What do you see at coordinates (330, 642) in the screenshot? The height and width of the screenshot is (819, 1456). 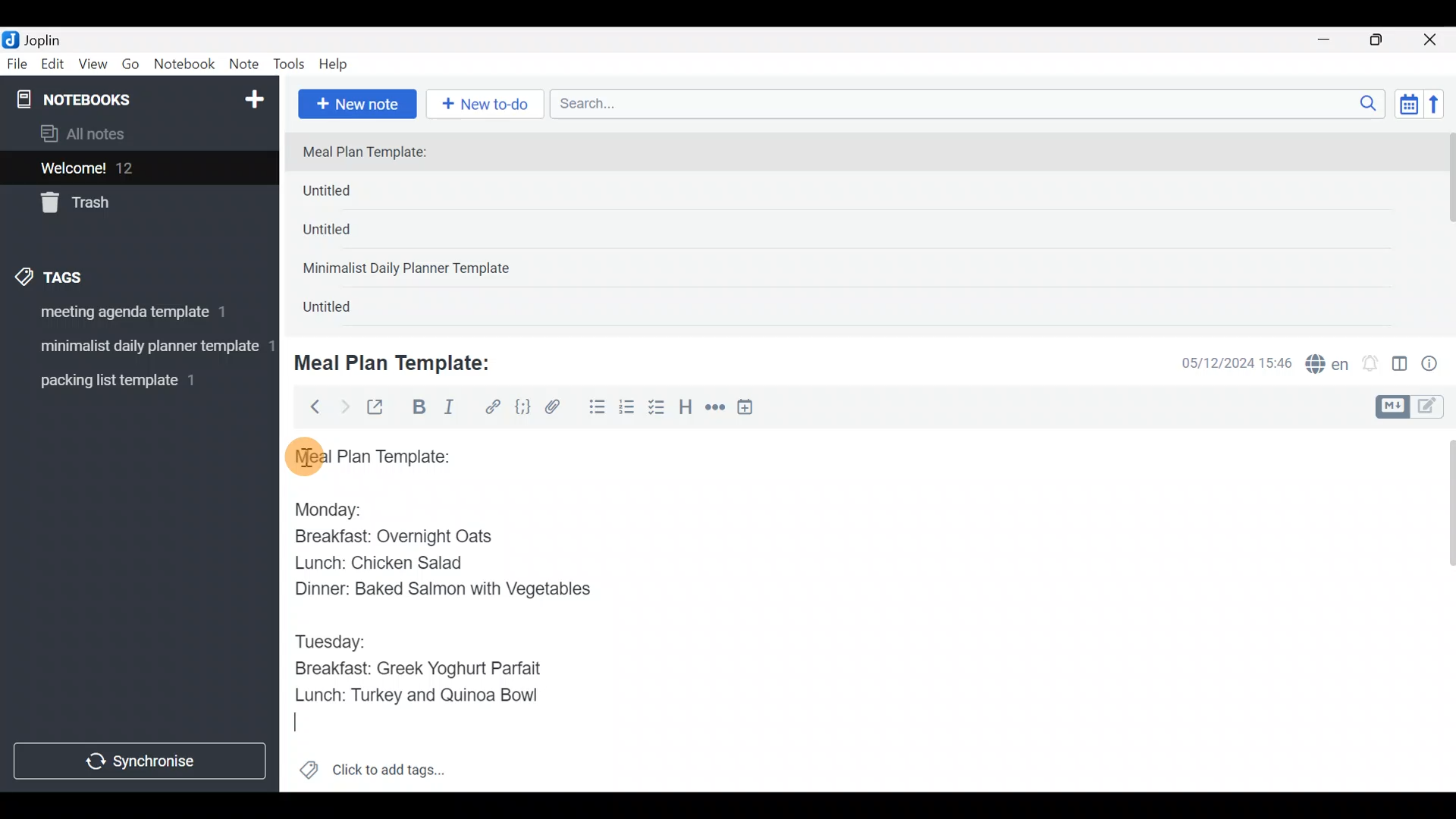 I see `Tuesday:` at bounding box center [330, 642].